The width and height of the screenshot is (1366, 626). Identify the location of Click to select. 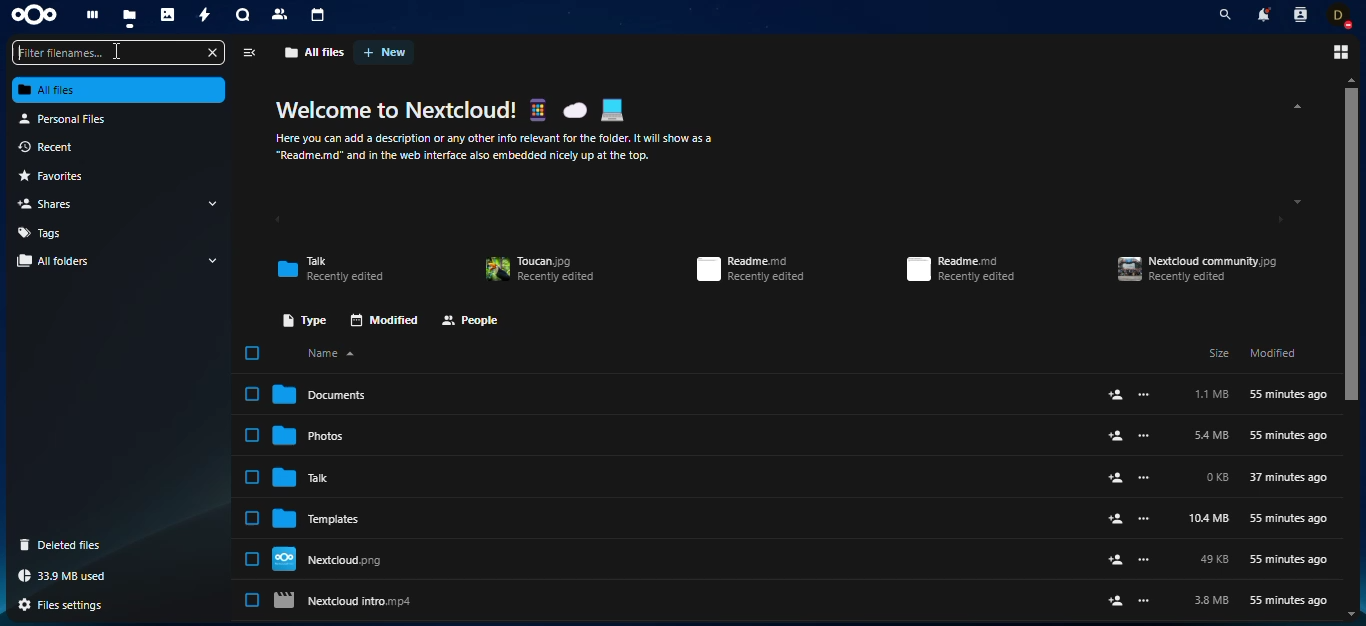
(252, 435).